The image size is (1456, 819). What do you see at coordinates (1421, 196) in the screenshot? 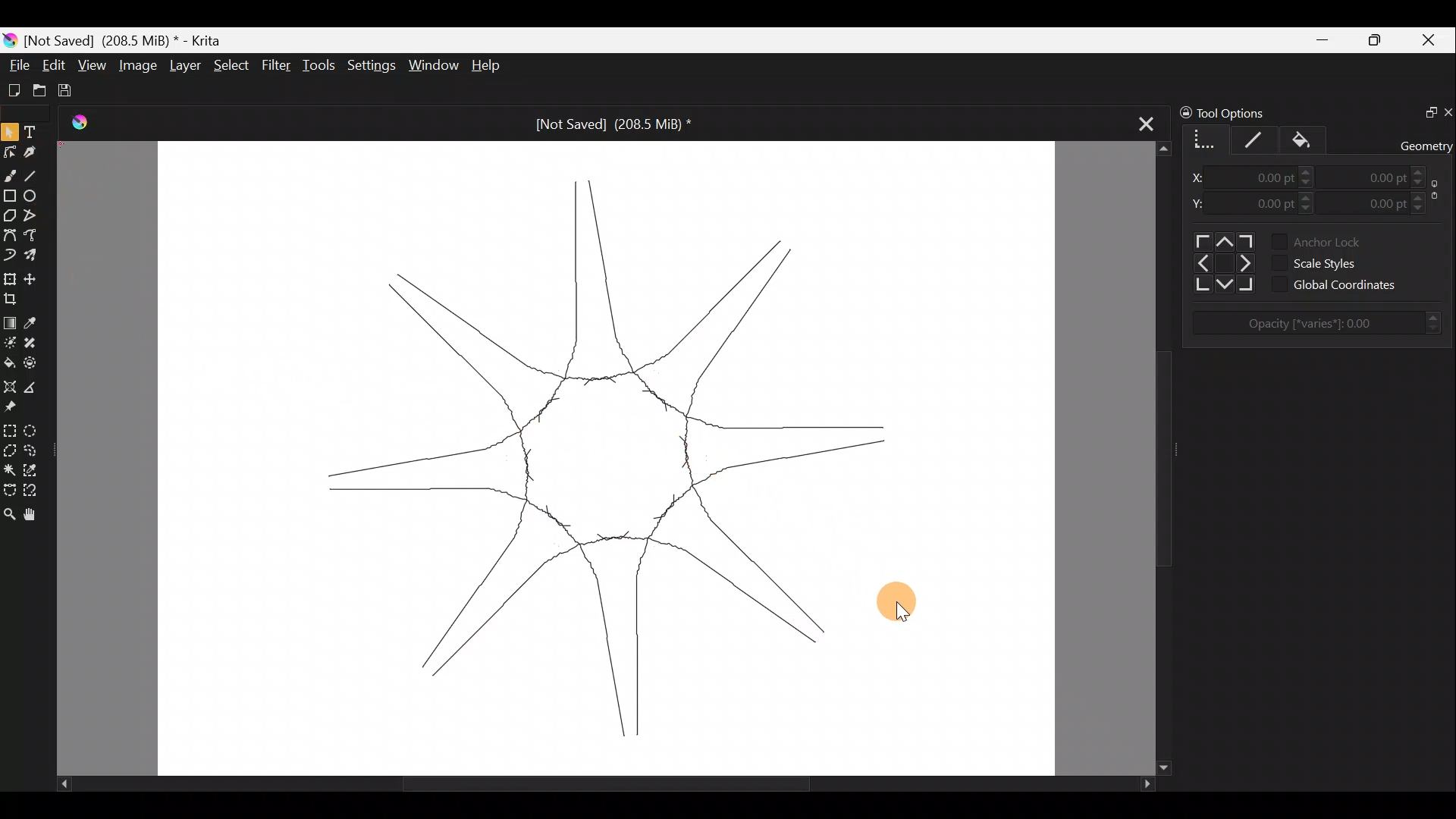
I see `Increase` at bounding box center [1421, 196].